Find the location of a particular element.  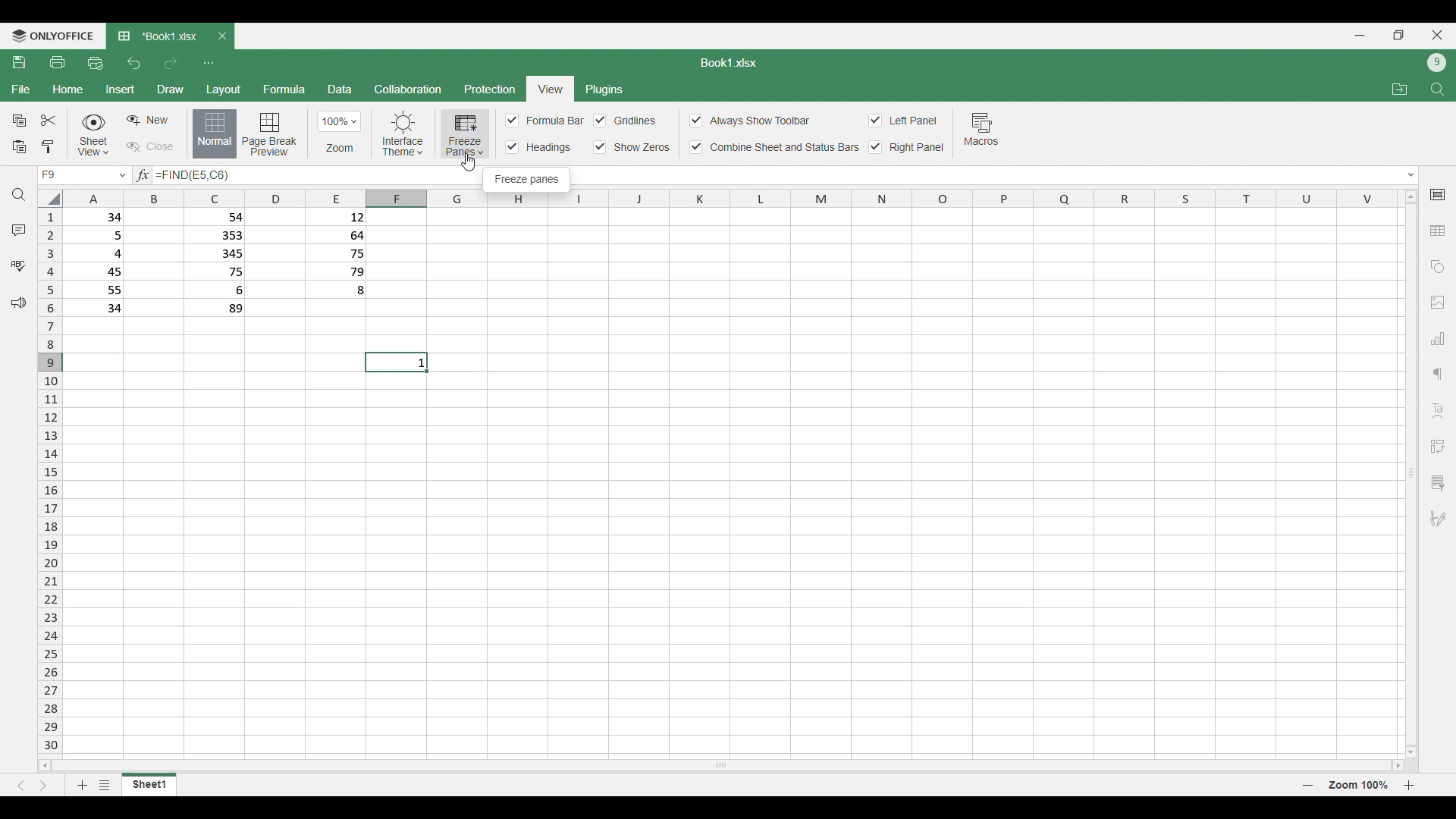

Cut is located at coordinates (48, 120).